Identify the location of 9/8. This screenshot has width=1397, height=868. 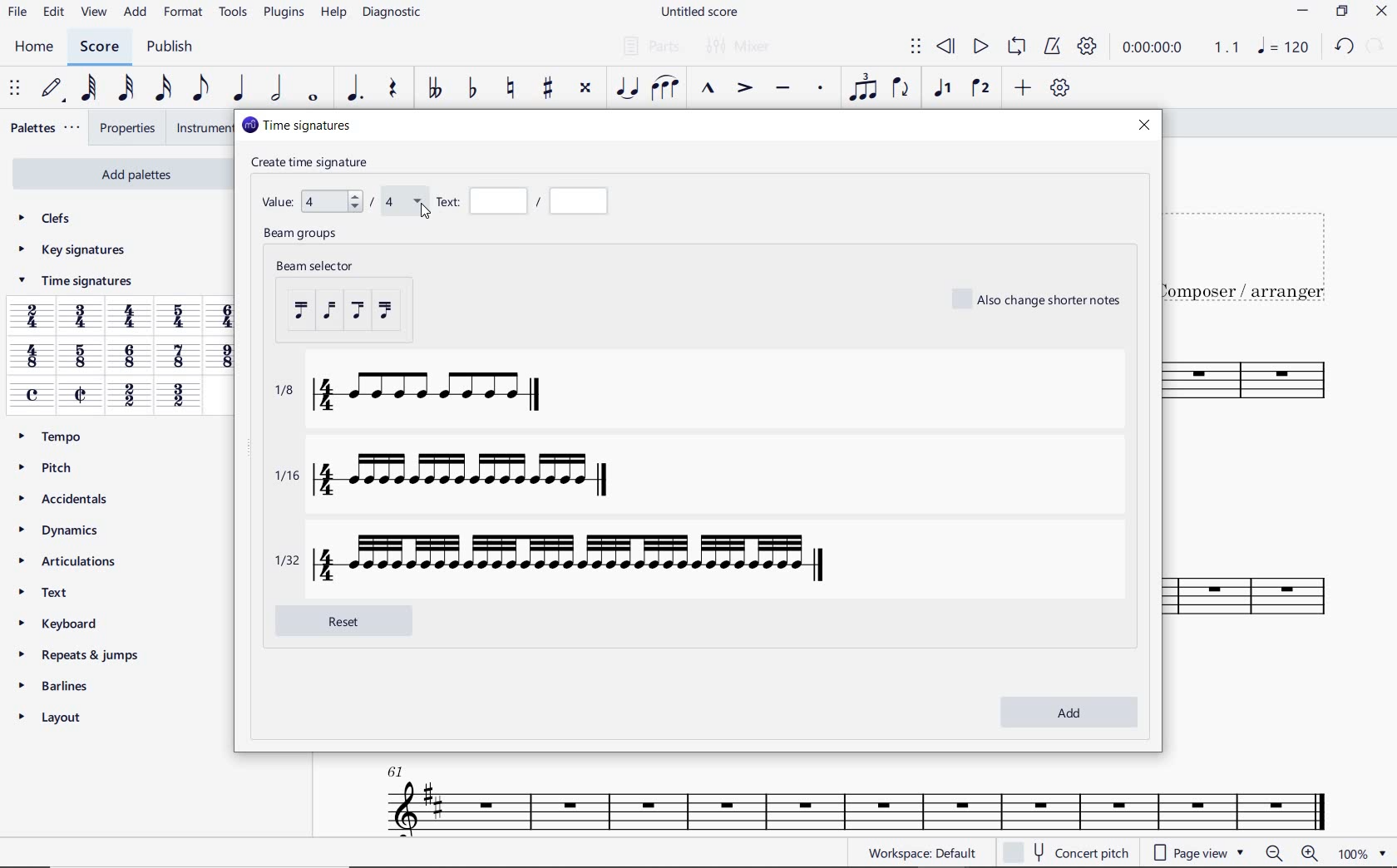
(224, 356).